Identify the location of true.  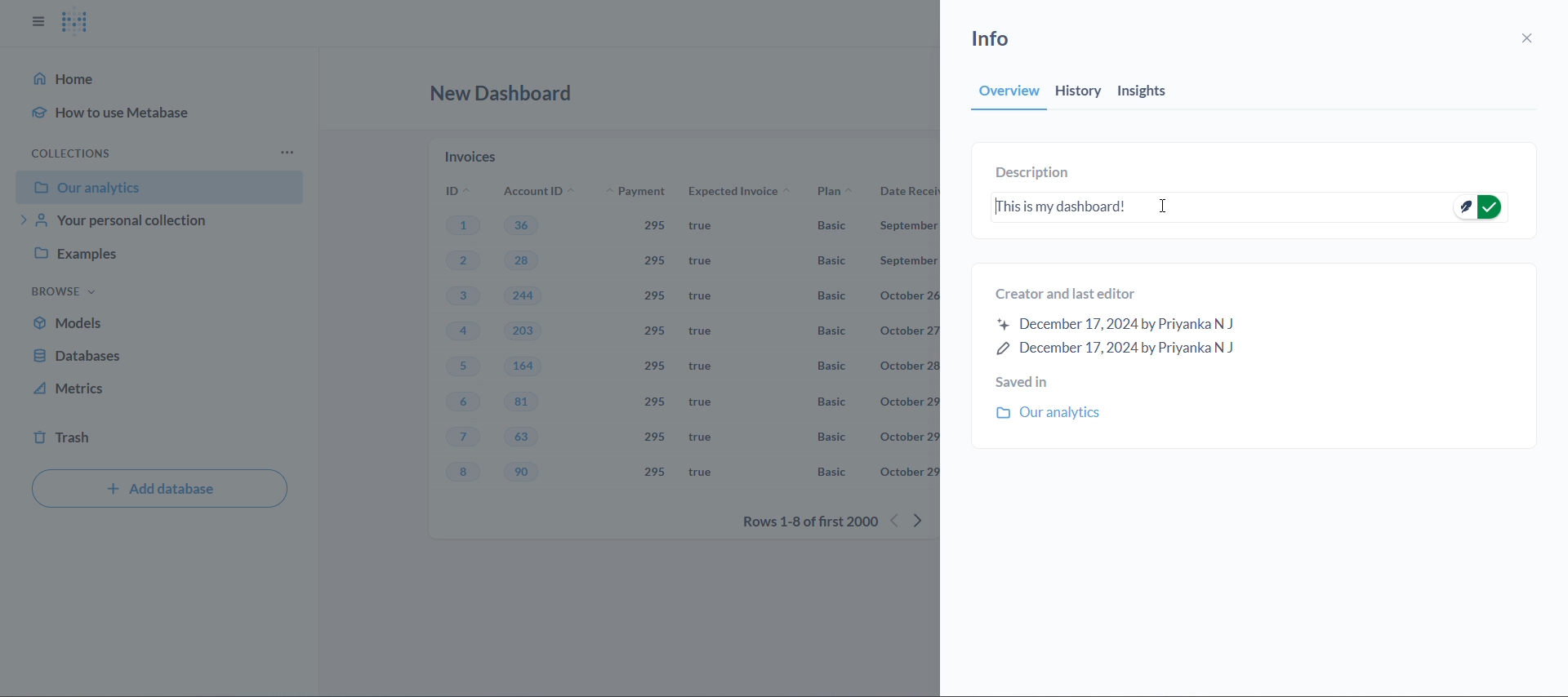
(700, 402).